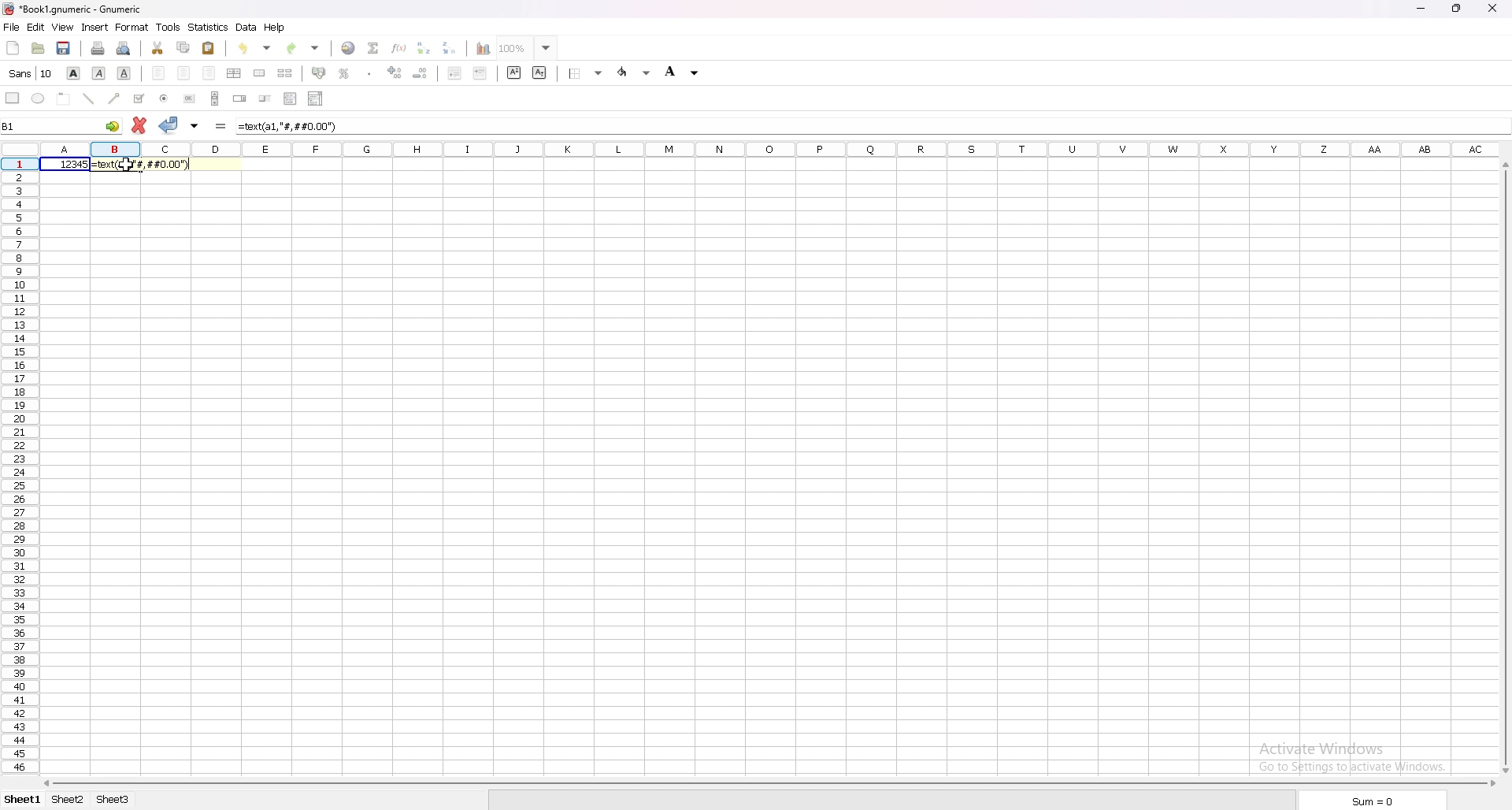  I want to click on thousands separator, so click(370, 73).